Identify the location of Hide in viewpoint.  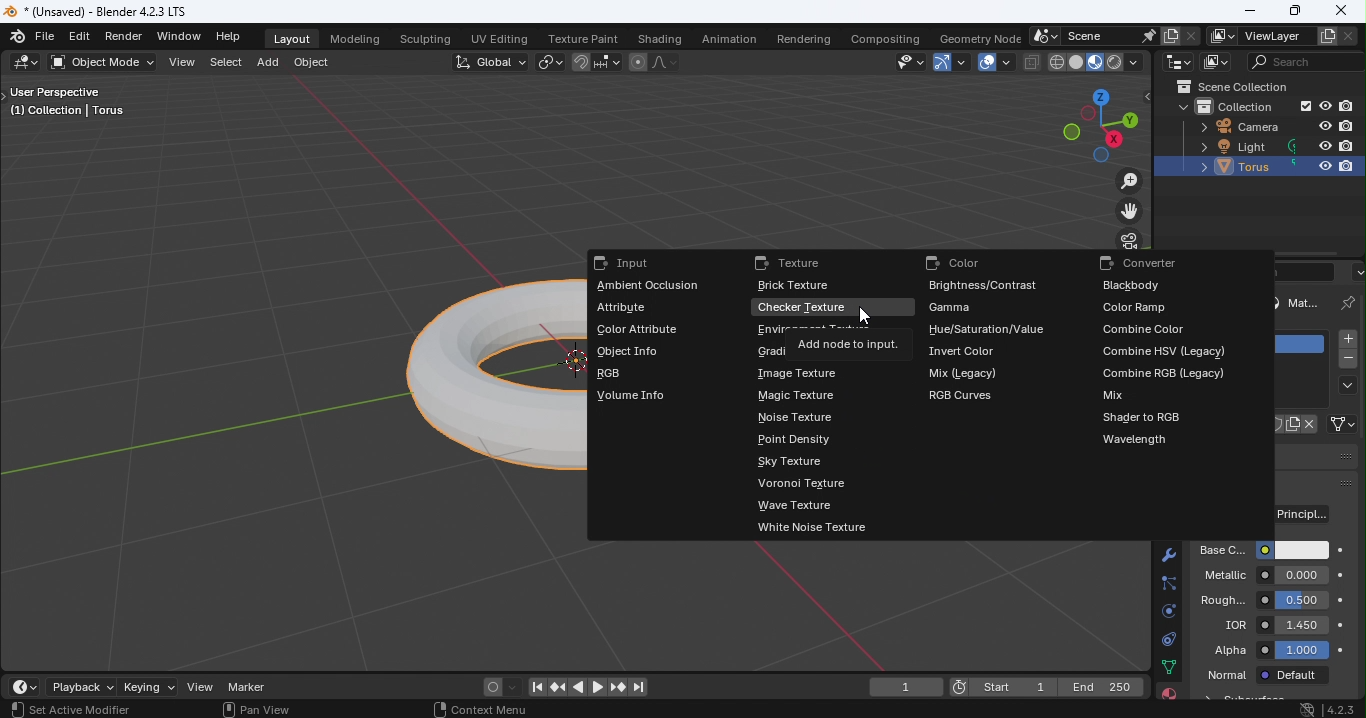
(1326, 127).